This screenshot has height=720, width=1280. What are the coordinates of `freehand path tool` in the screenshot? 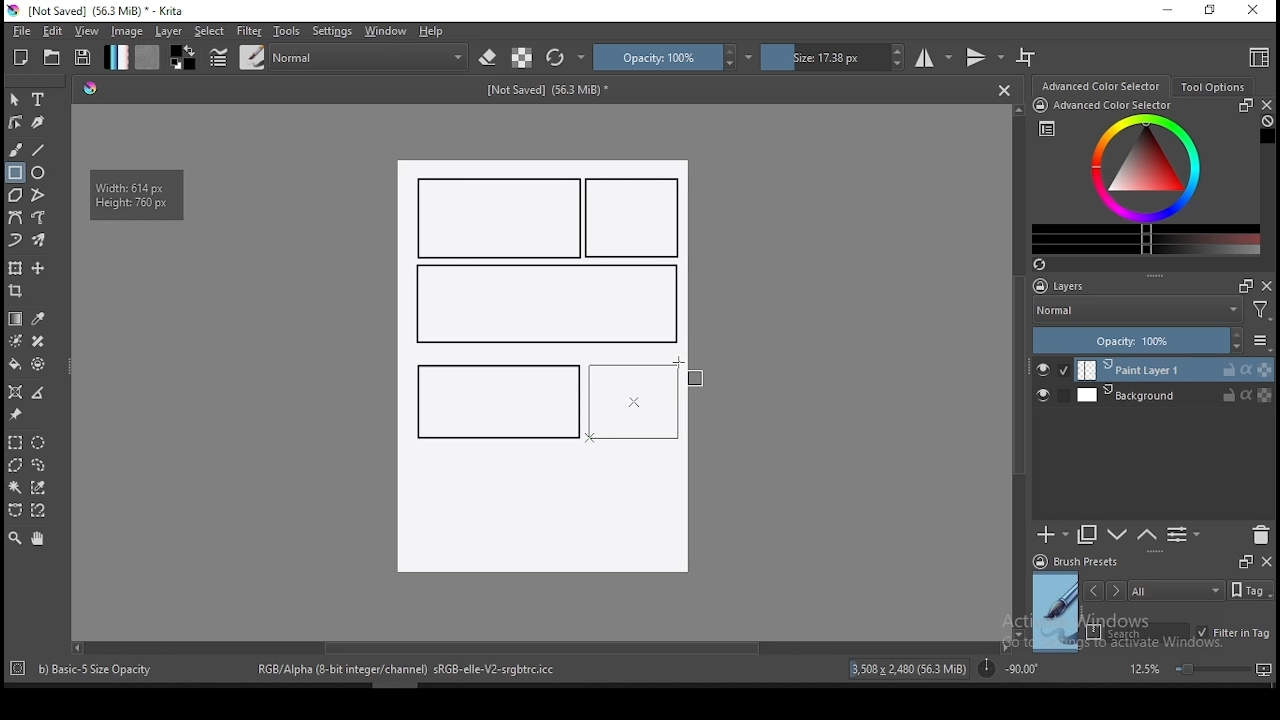 It's located at (40, 218).